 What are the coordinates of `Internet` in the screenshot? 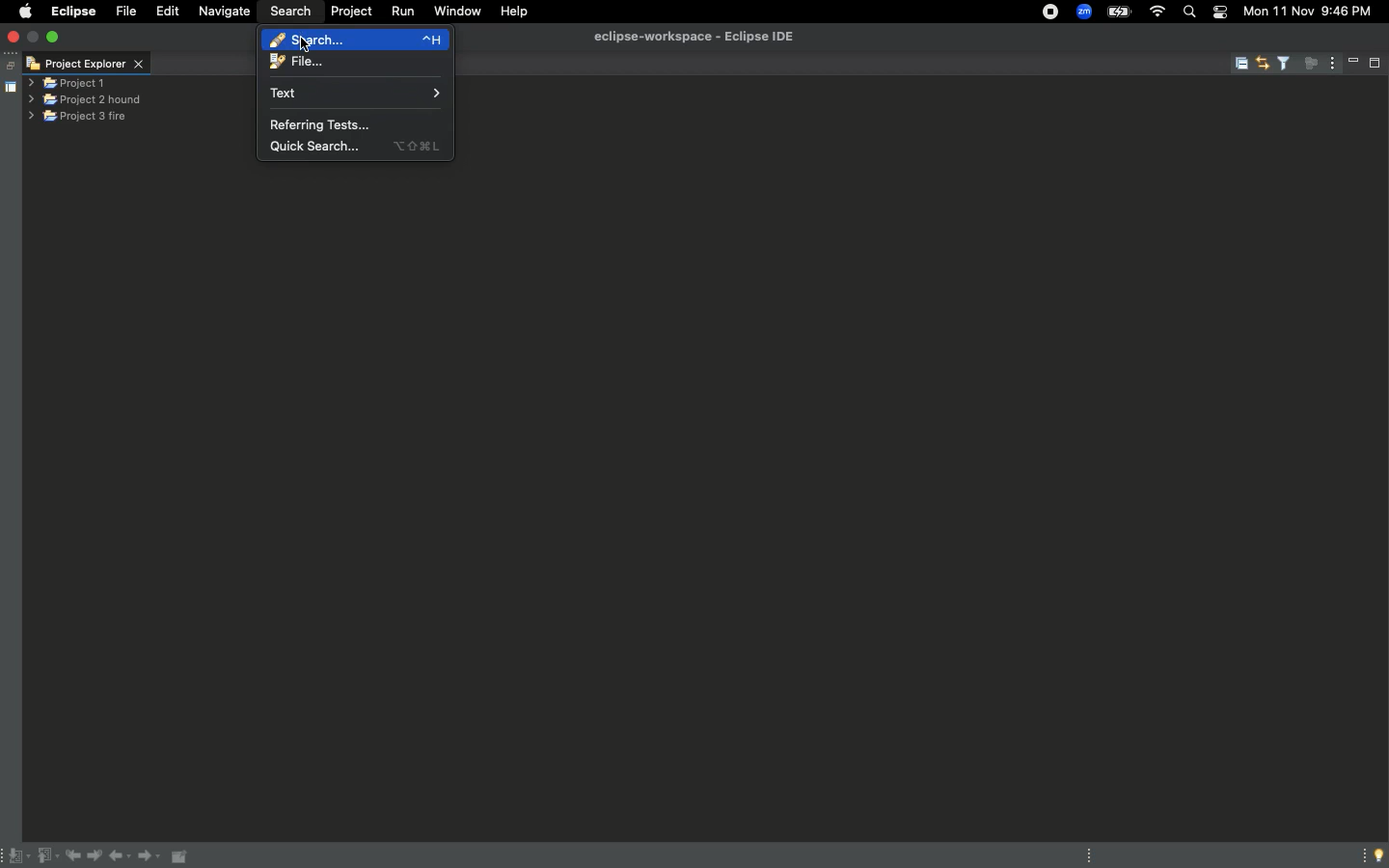 It's located at (1158, 13).